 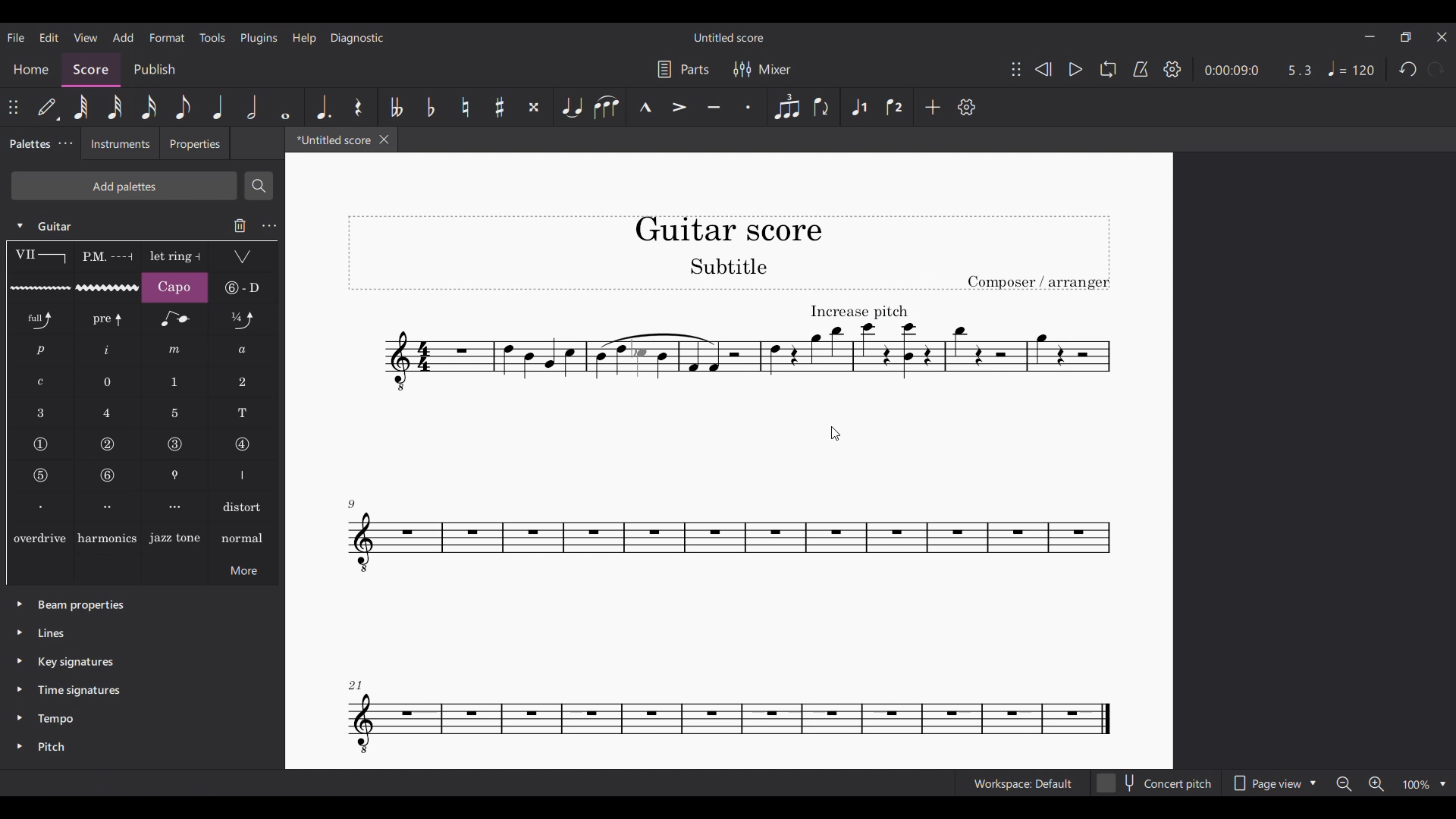 What do you see at coordinates (176, 382) in the screenshot?
I see `LH guitar fingering 1` at bounding box center [176, 382].